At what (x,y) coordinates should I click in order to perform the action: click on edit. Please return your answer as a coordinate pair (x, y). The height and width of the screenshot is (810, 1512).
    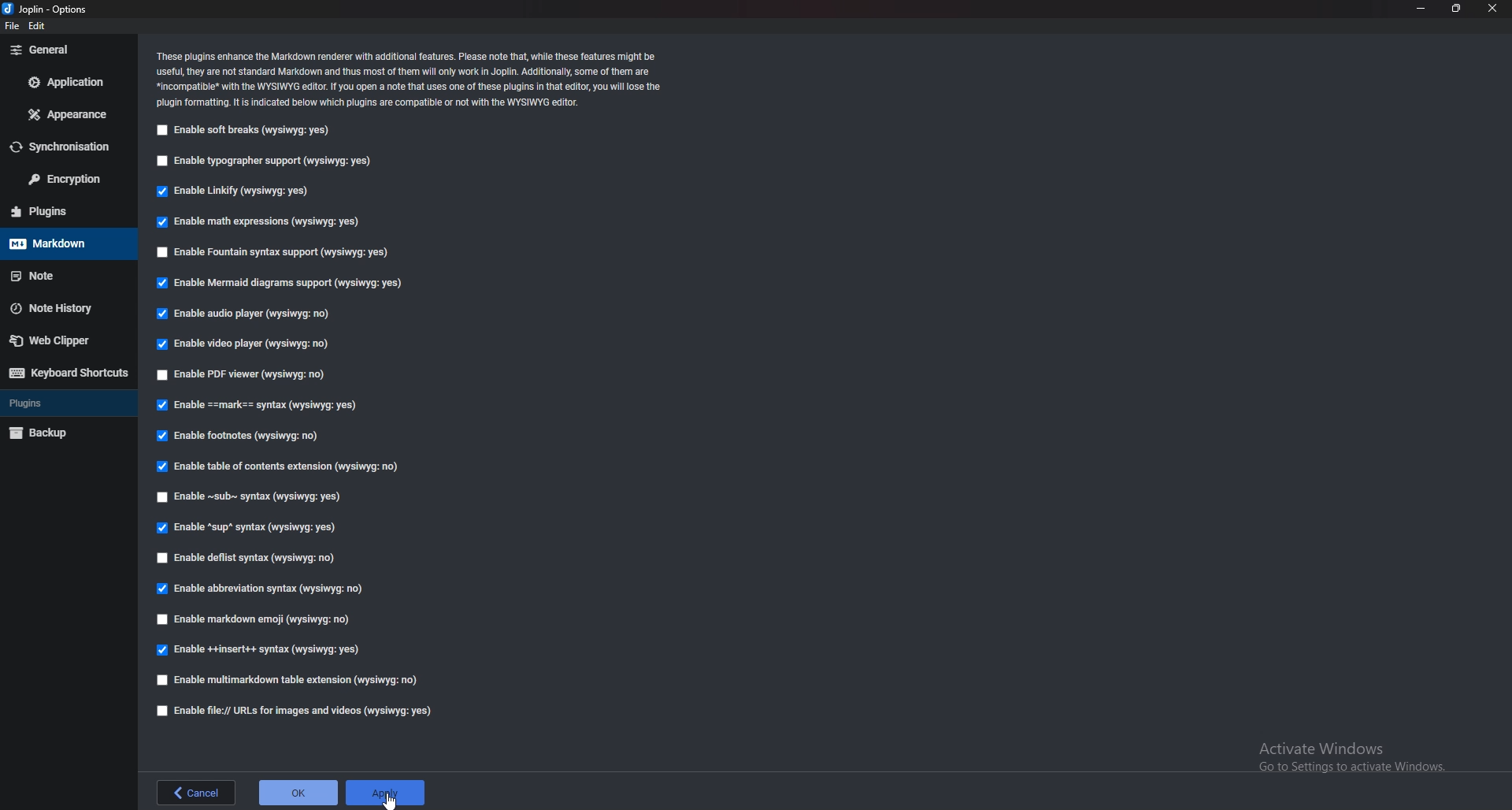
    Looking at the image, I should click on (39, 25).